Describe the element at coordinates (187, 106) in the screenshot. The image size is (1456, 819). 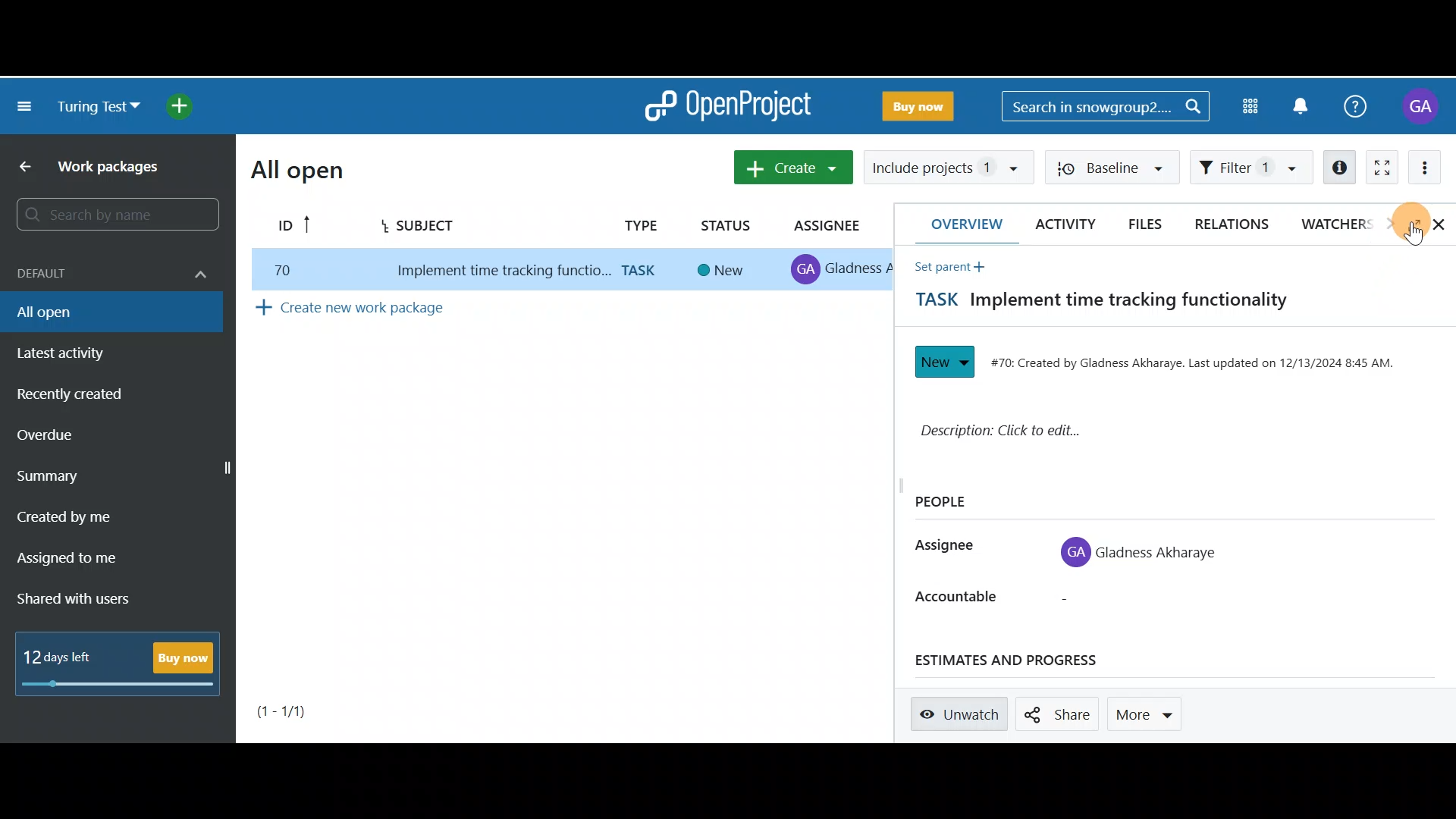
I see `Open quick add menu` at that location.